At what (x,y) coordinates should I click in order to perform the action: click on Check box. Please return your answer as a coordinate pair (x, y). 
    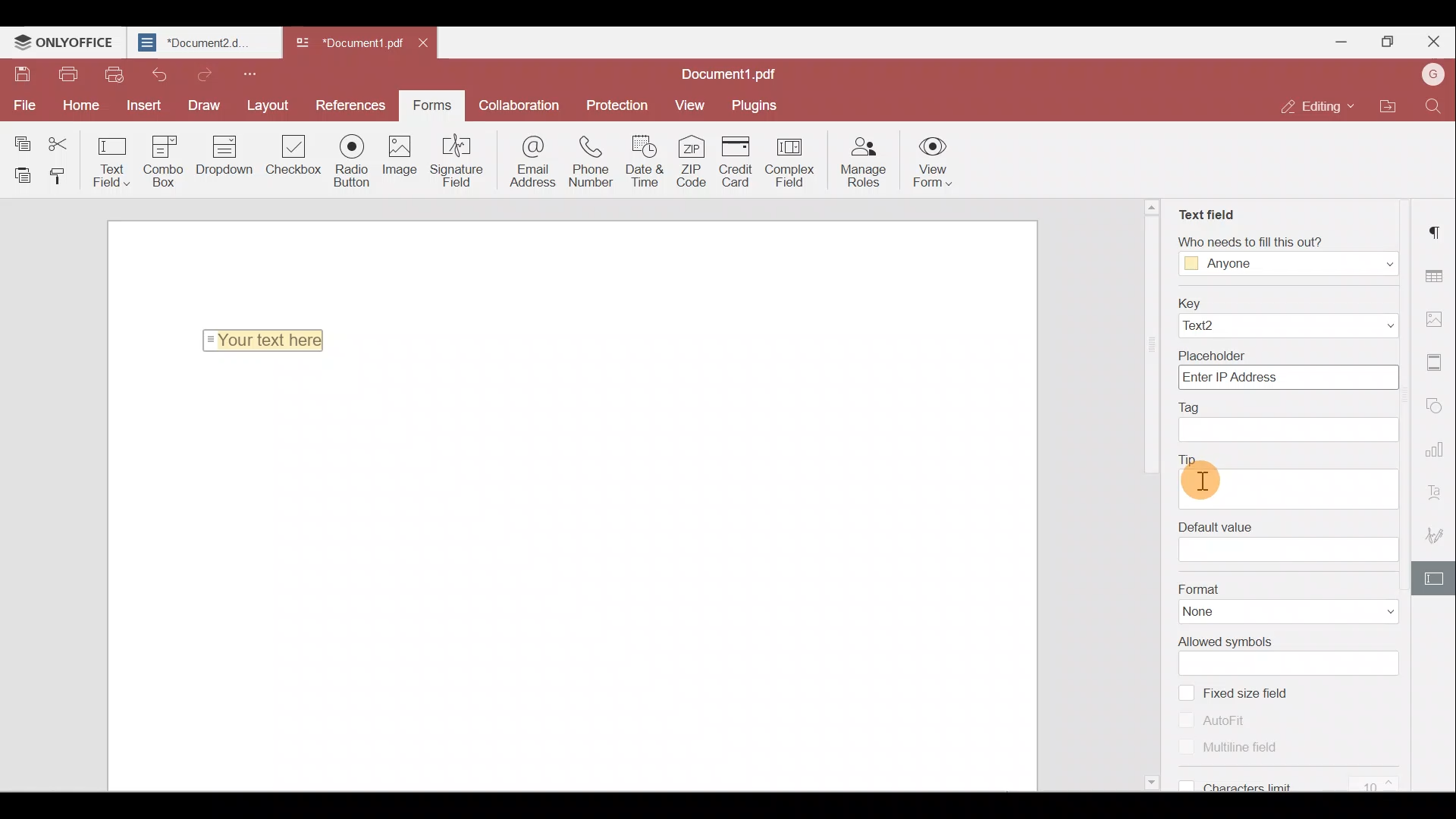
    Looking at the image, I should click on (292, 164).